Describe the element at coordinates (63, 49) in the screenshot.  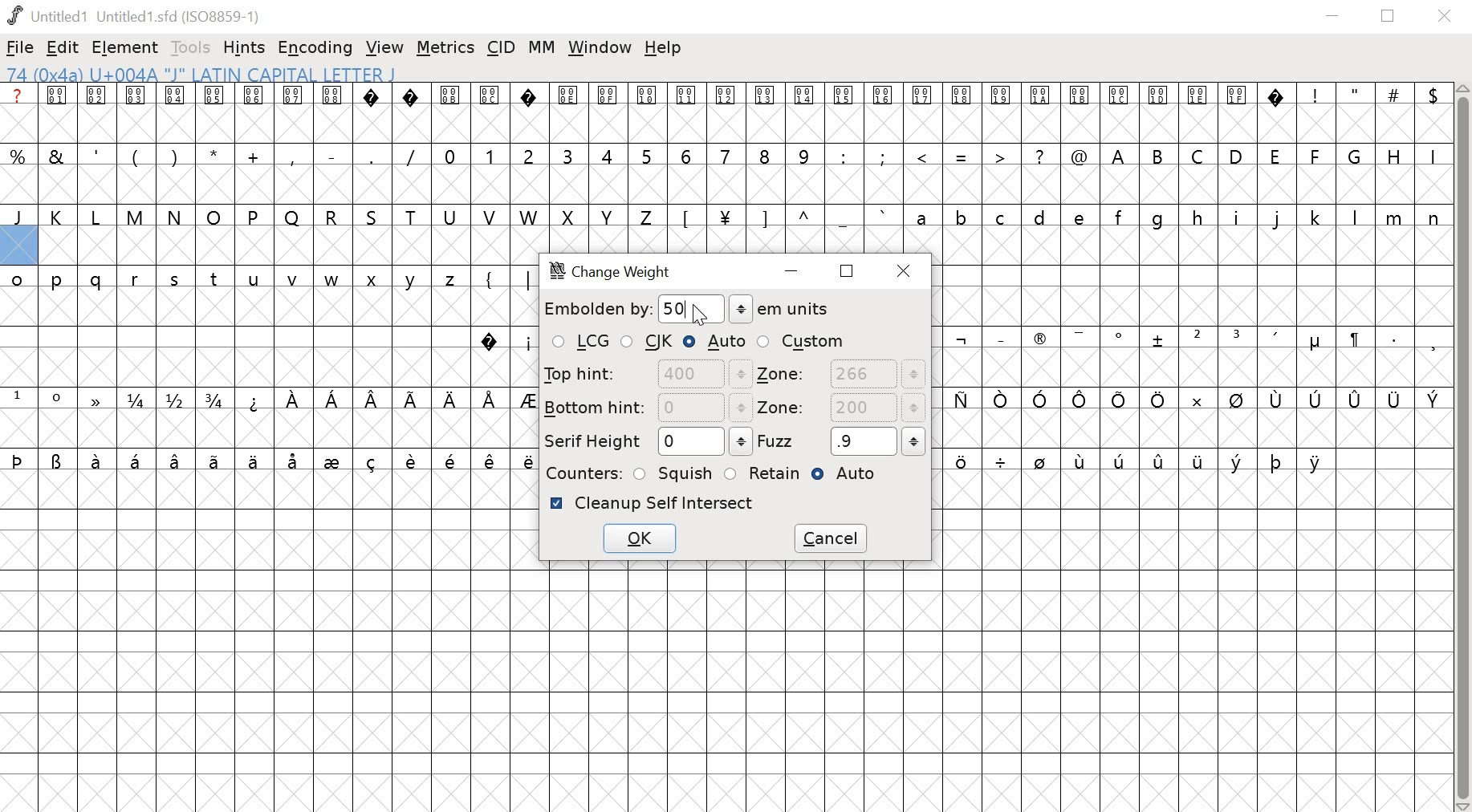
I see `EDIT` at that location.